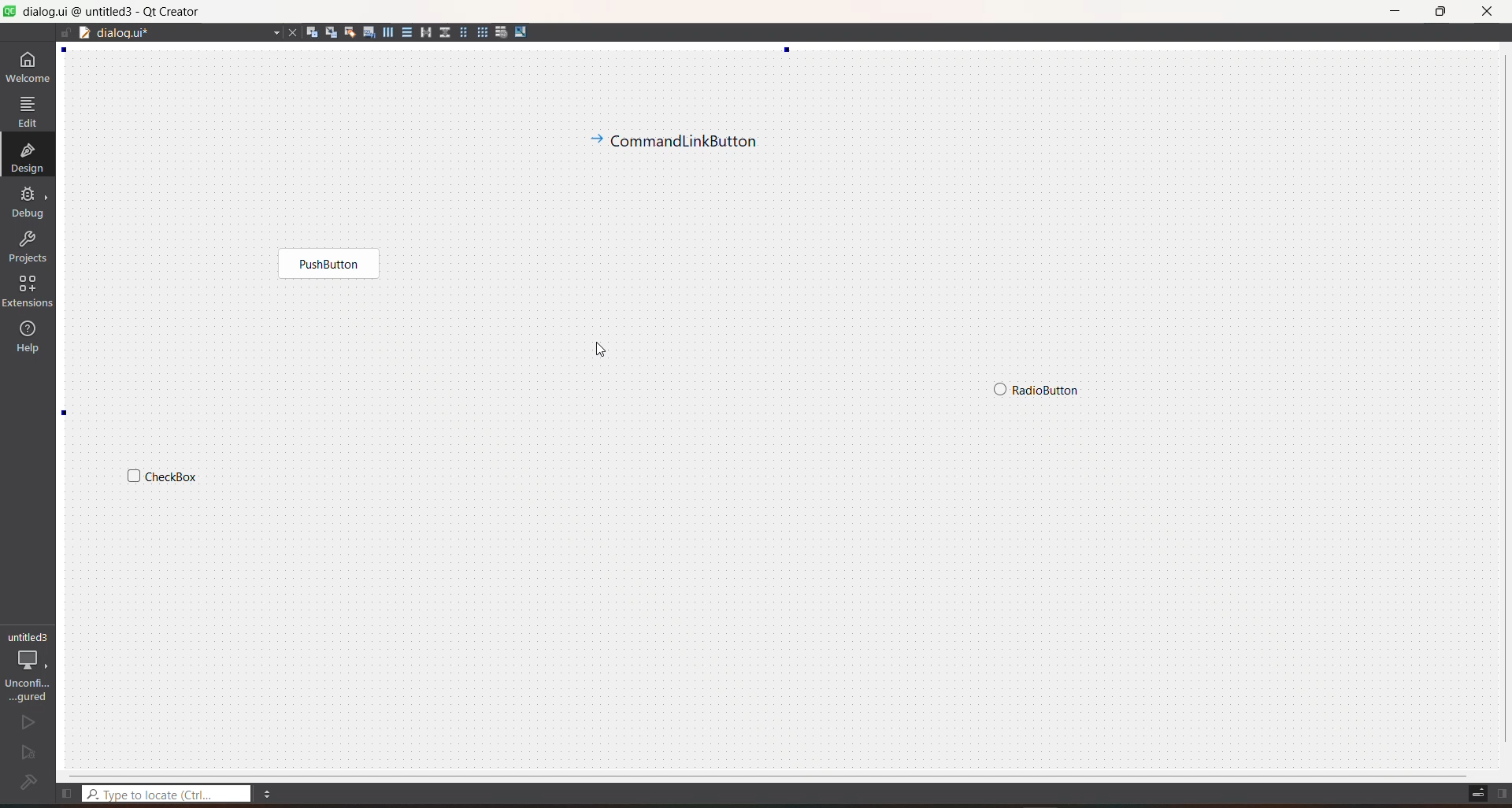  I want to click on widget 2, so click(174, 480).